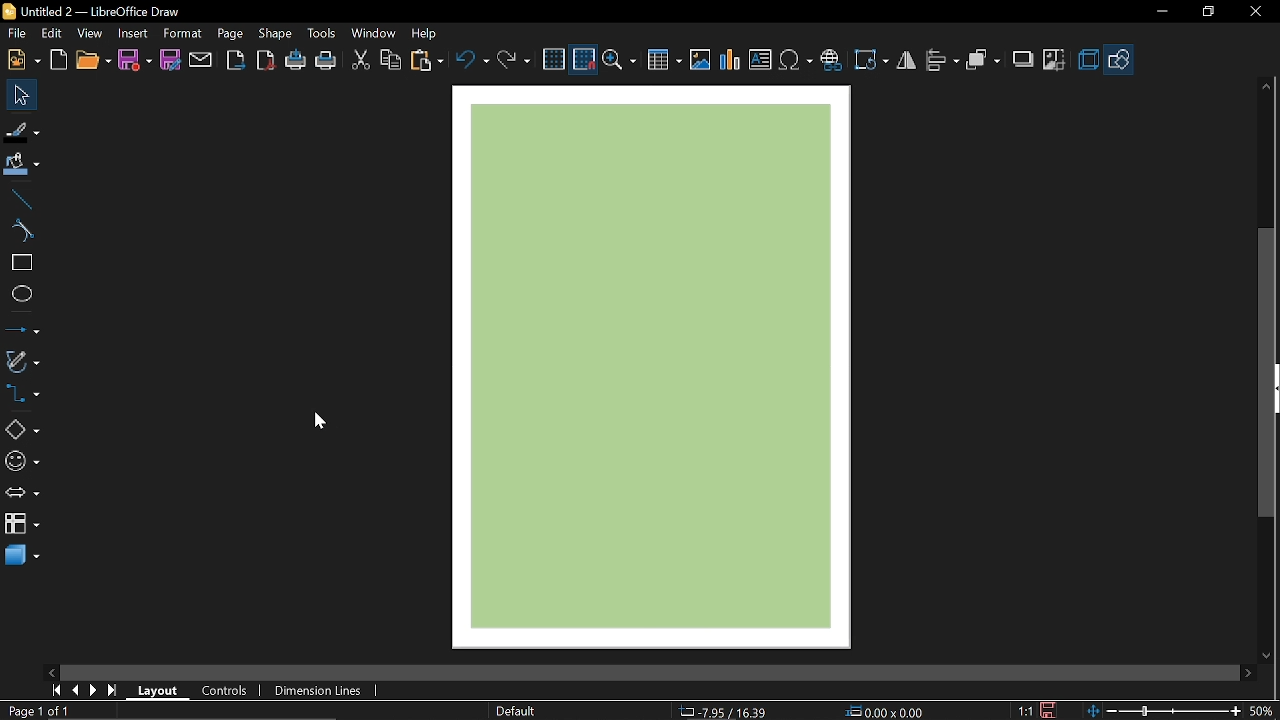 This screenshot has height=720, width=1280. I want to click on New, so click(24, 60).